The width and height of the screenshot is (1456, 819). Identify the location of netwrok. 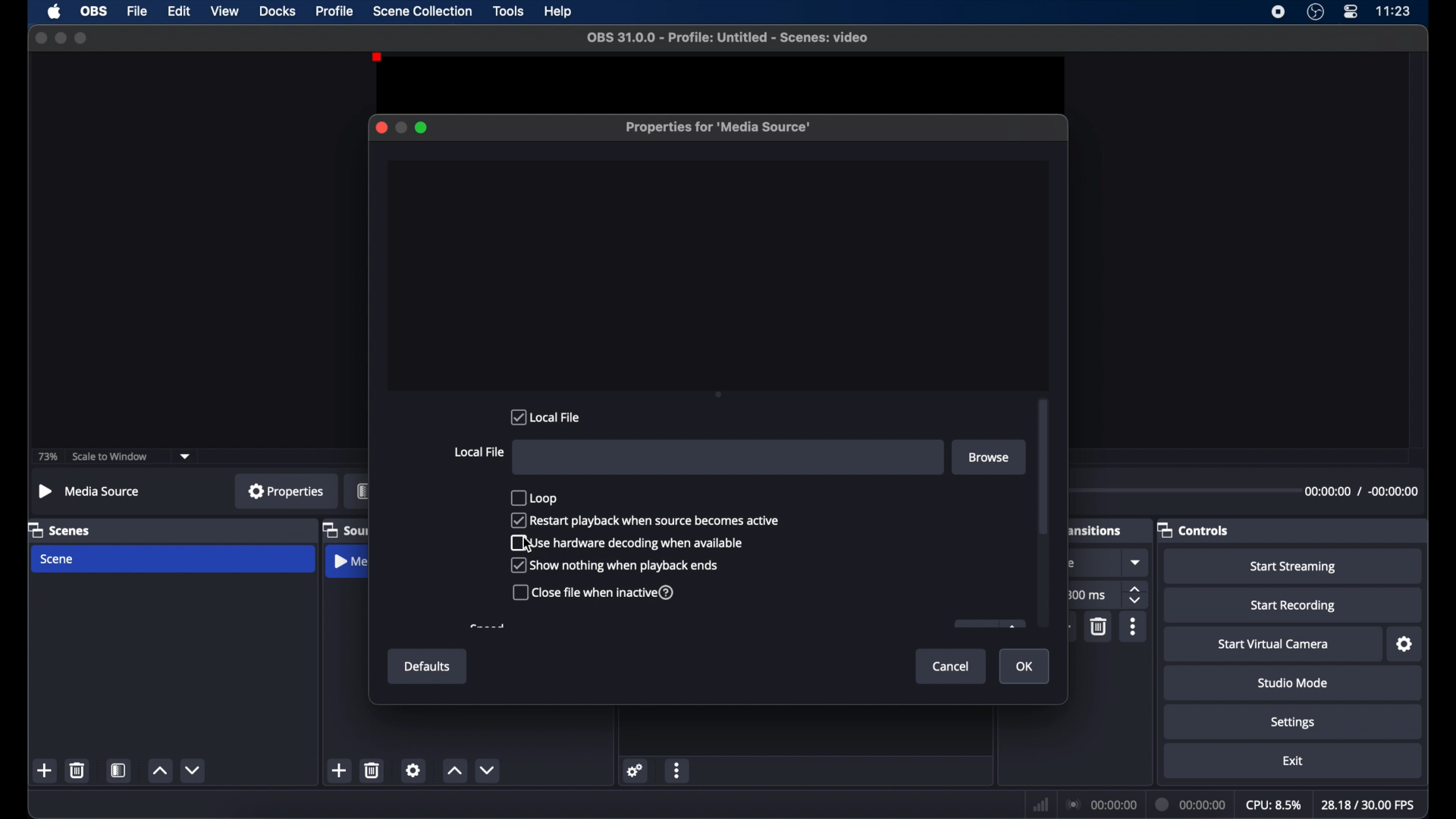
(1040, 805).